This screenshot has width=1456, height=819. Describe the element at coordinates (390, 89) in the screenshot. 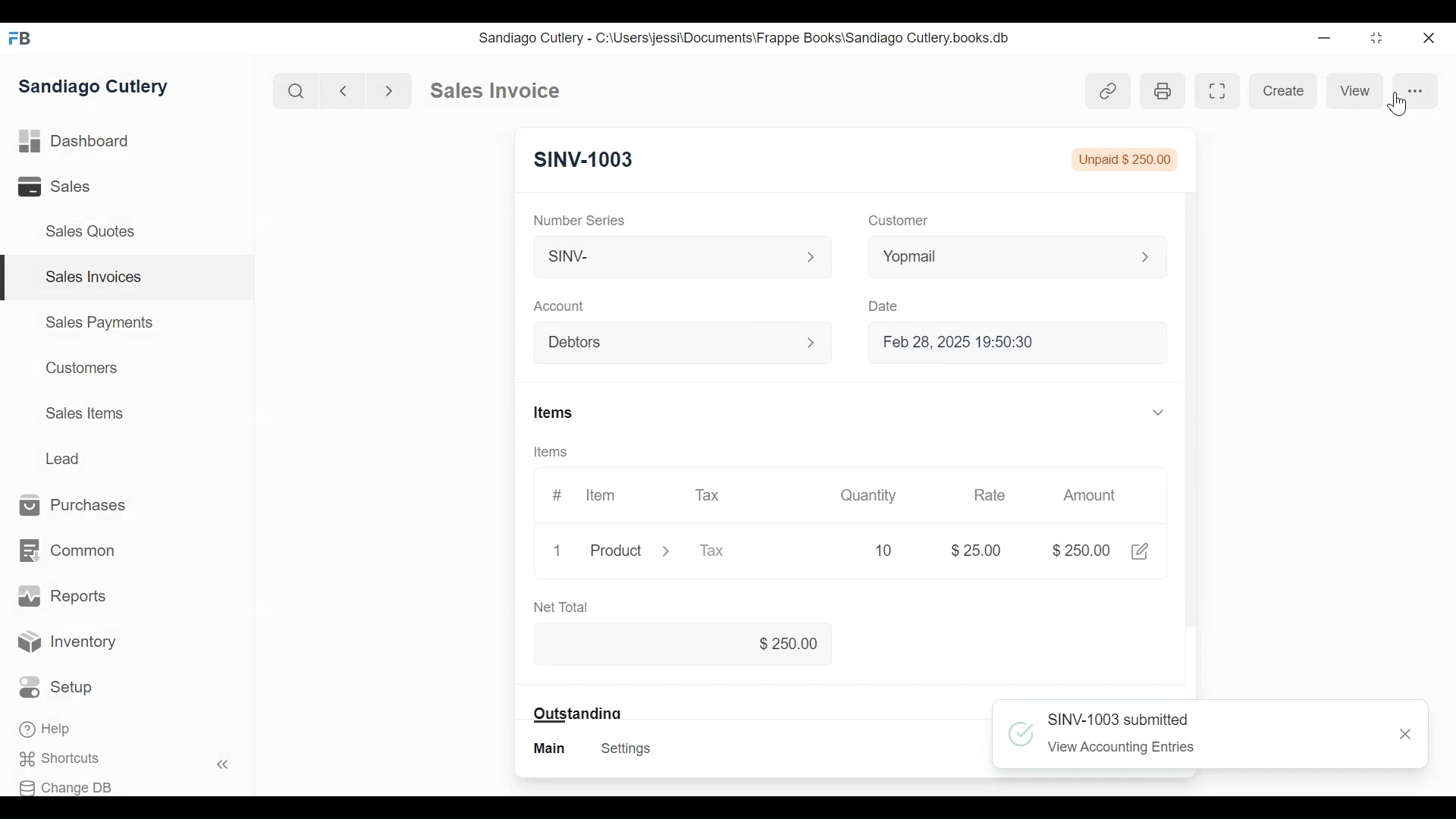

I see `forward` at that location.